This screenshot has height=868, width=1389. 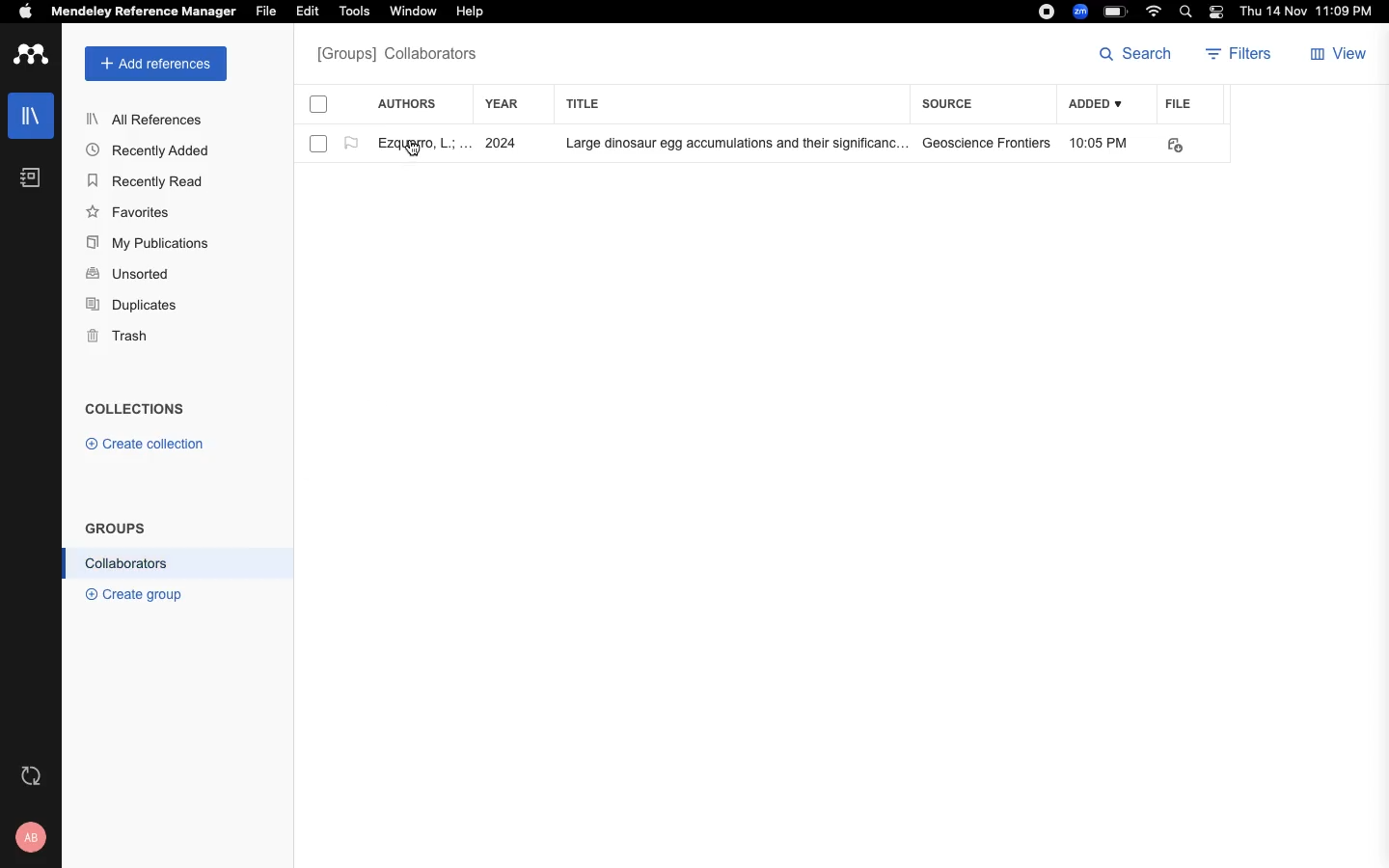 What do you see at coordinates (130, 275) in the screenshot?
I see `Unsorted` at bounding box center [130, 275].